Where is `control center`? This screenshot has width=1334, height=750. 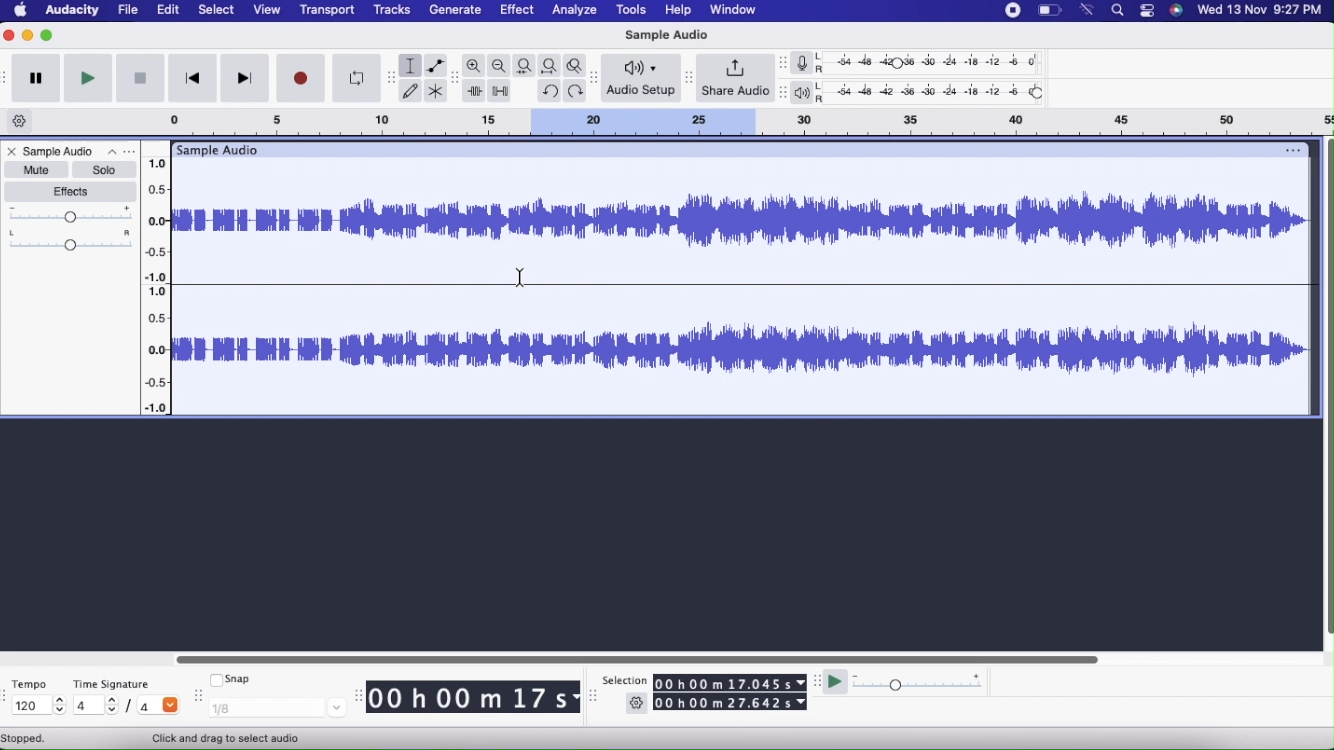
control center is located at coordinates (1147, 10).